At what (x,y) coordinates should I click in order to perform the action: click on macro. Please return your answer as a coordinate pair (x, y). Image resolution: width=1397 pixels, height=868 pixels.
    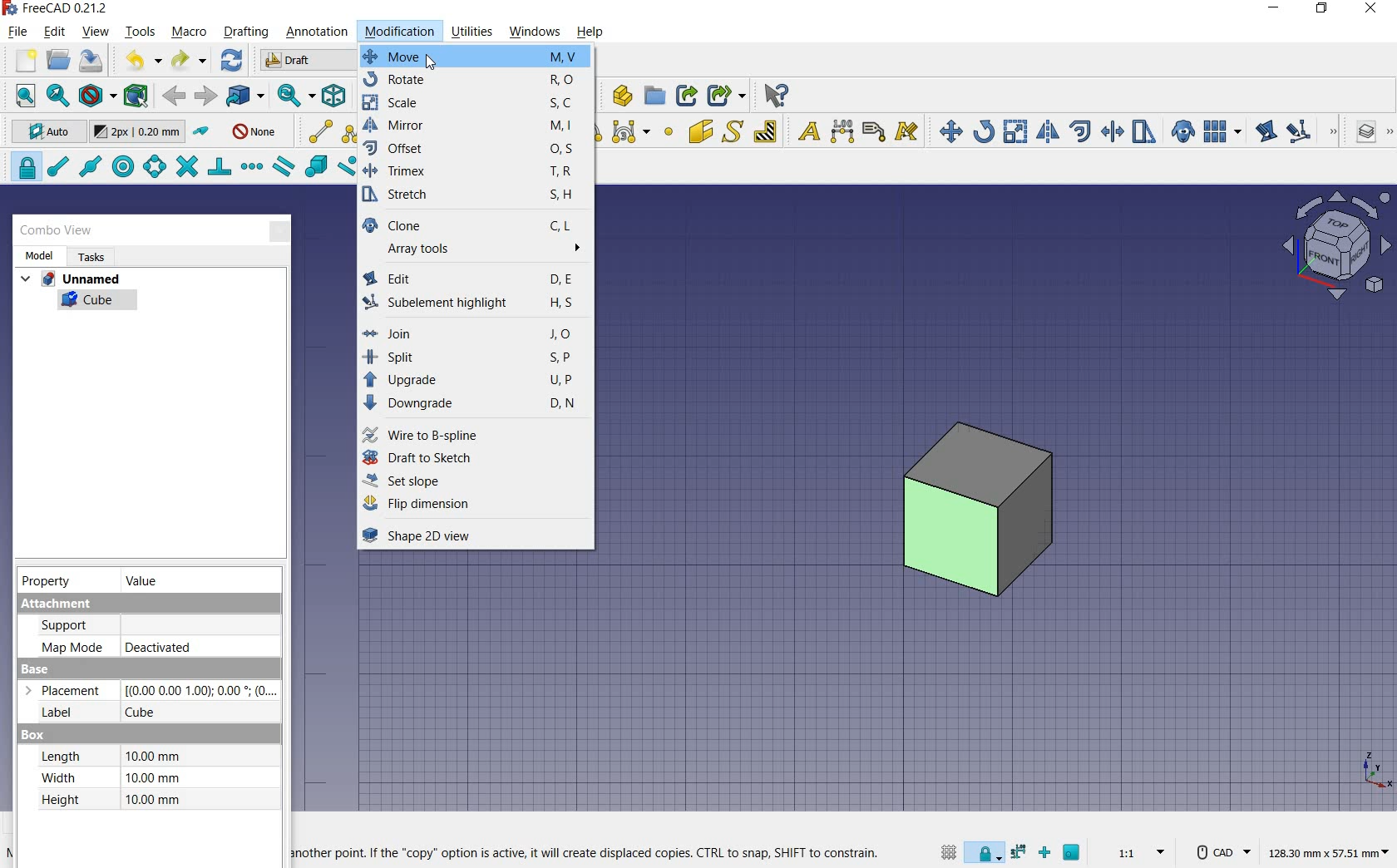
    Looking at the image, I should click on (189, 33).